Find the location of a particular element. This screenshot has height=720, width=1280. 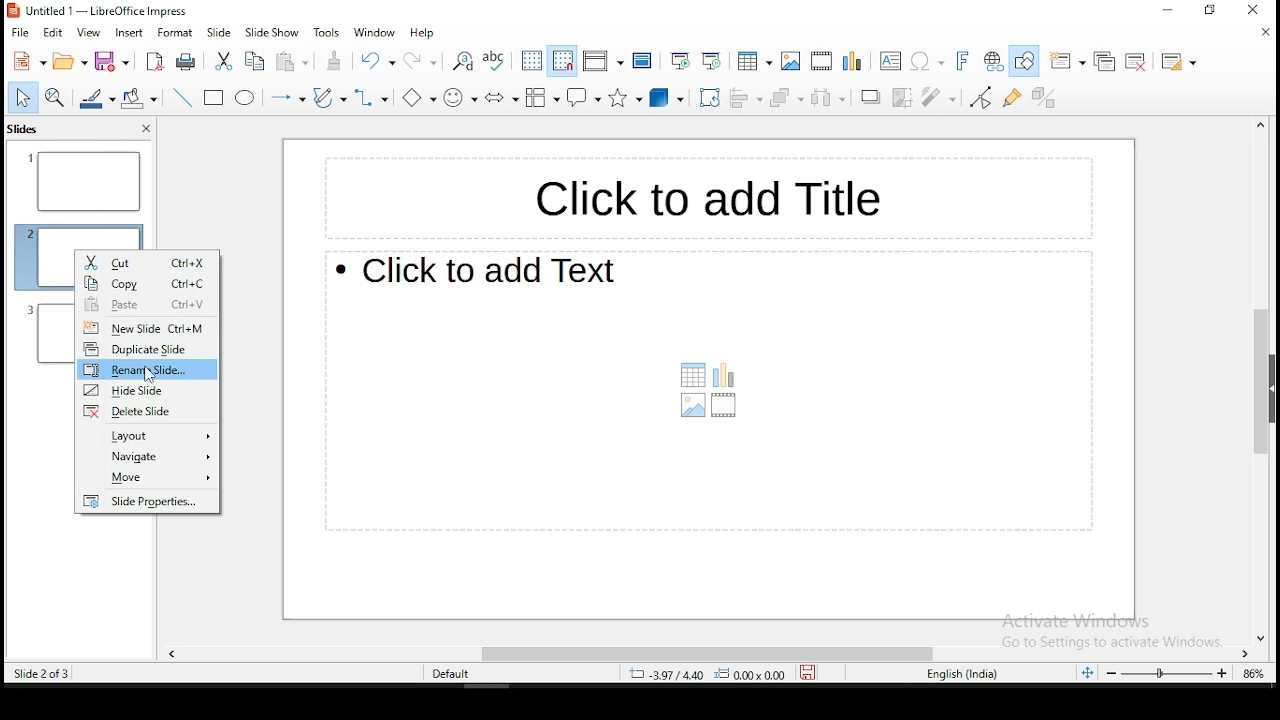

insert video is located at coordinates (821, 59).